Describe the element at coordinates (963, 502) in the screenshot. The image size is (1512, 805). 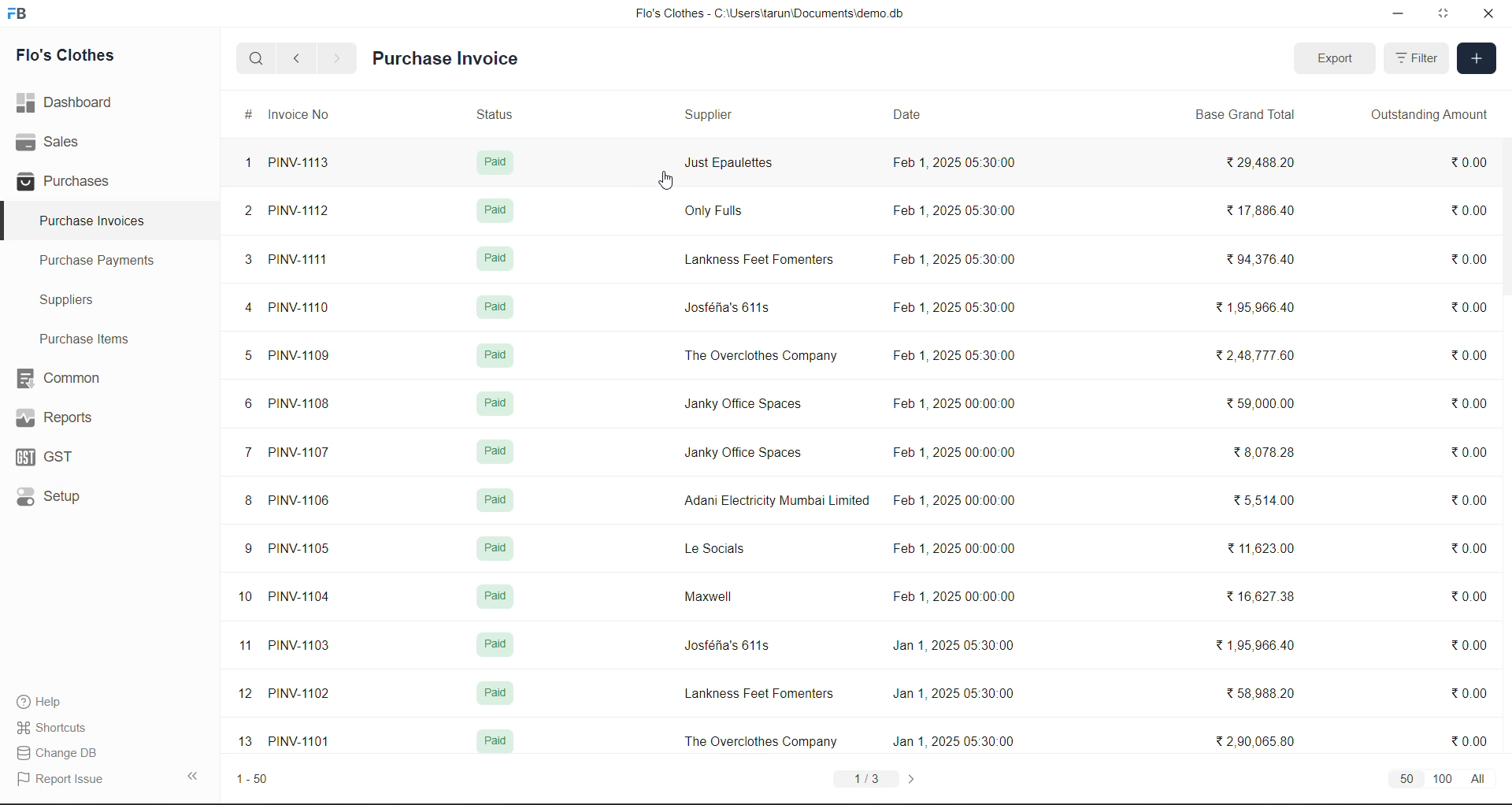
I see `Feb 1, 2025 00:00:00` at that location.